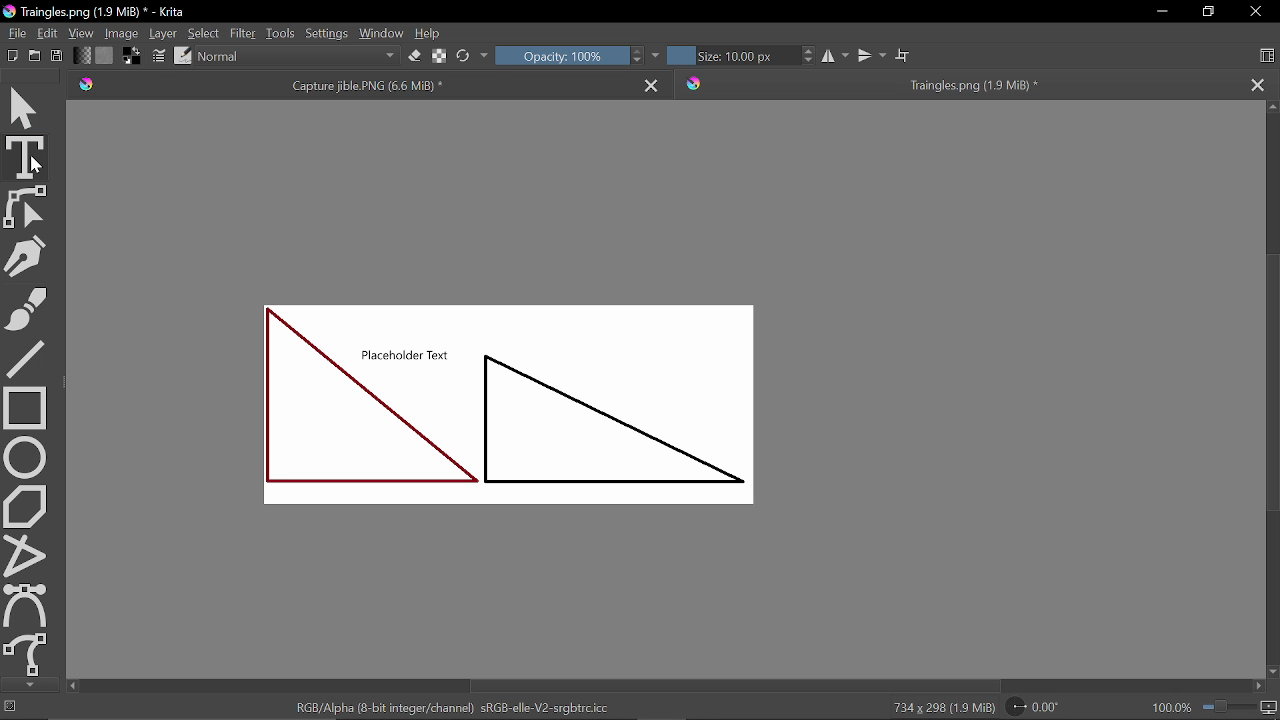  What do you see at coordinates (1261, 687) in the screenshot?
I see `Move right` at bounding box center [1261, 687].